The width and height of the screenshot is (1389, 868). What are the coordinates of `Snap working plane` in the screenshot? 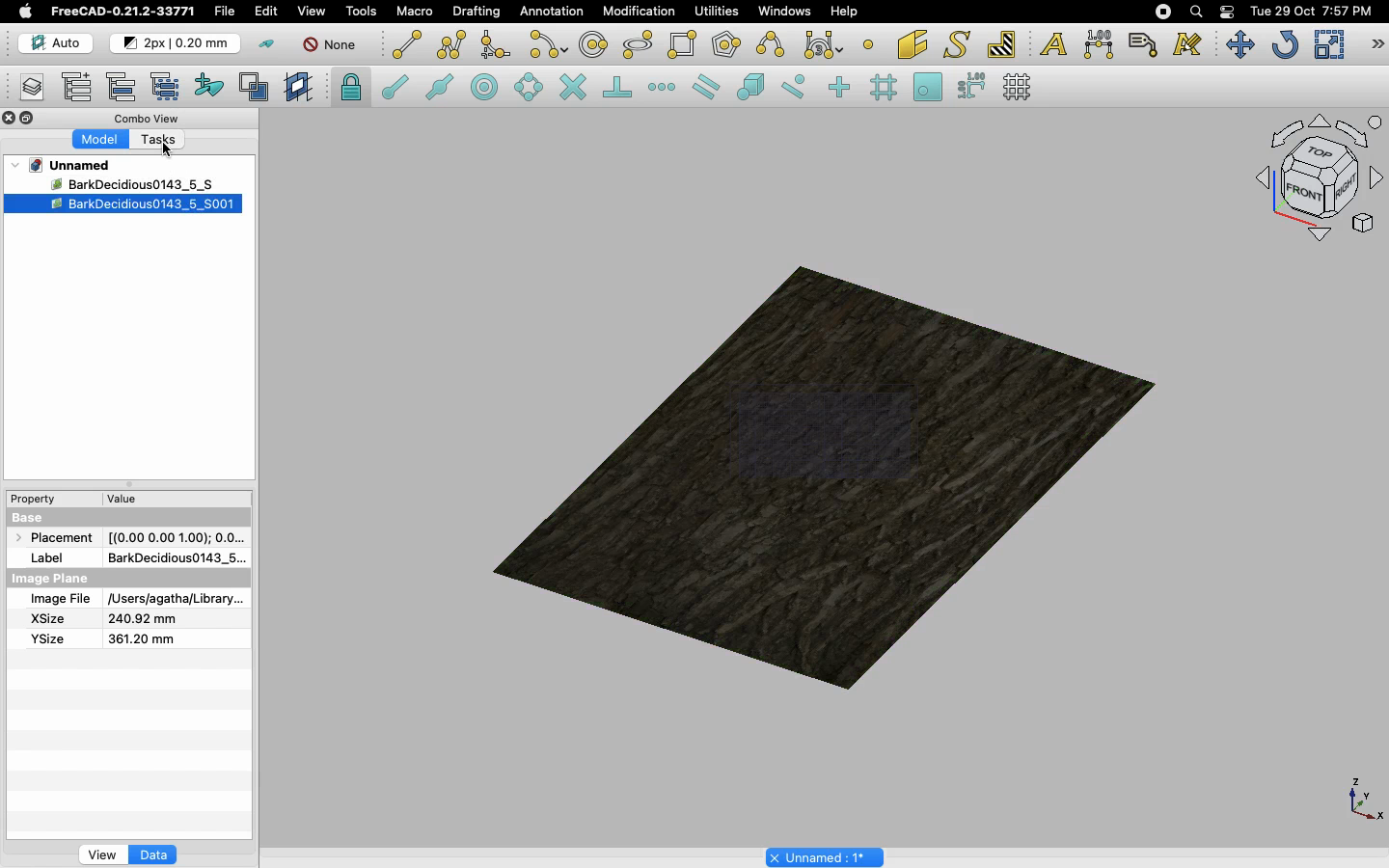 It's located at (928, 89).